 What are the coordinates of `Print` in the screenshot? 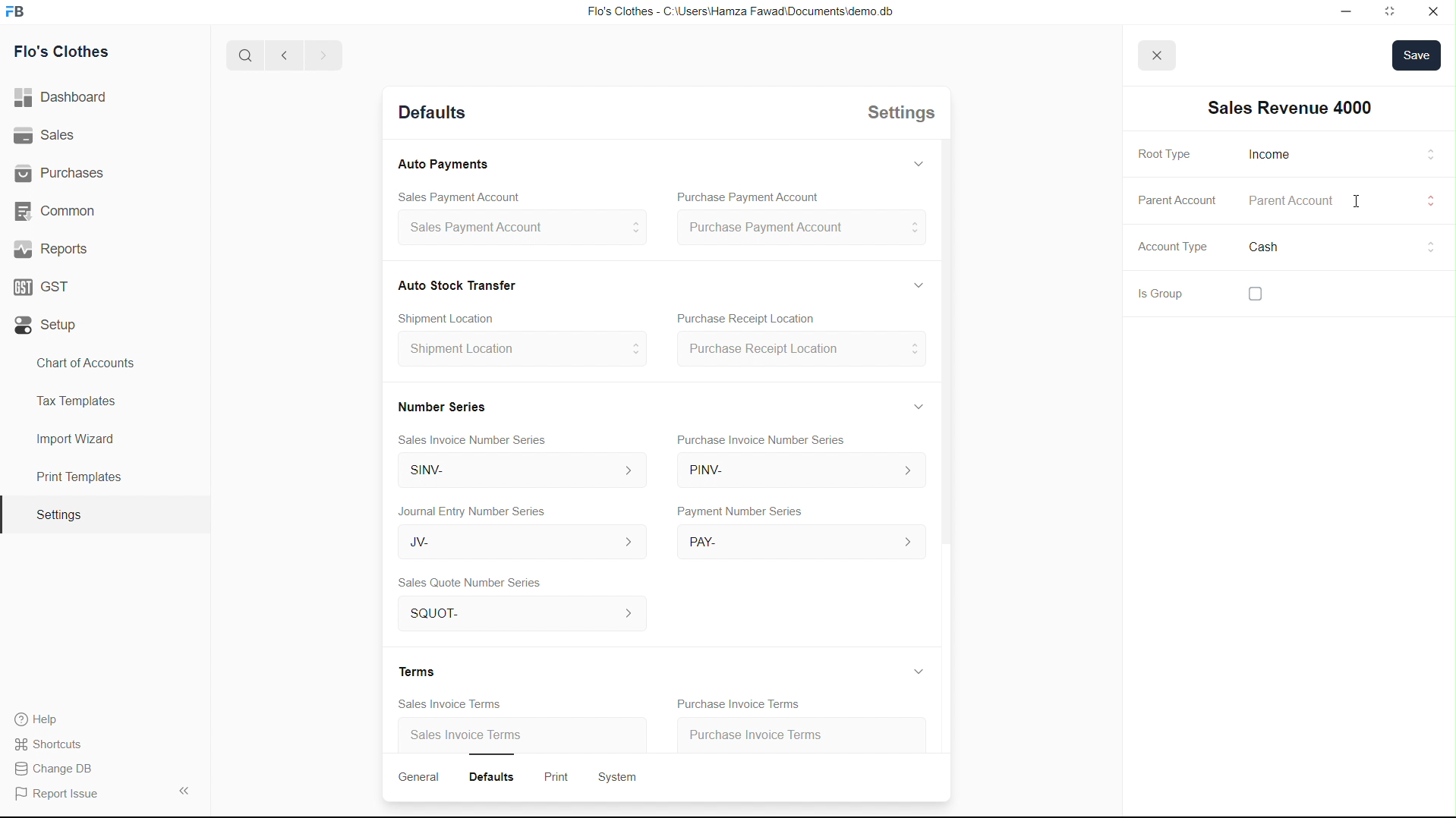 It's located at (559, 775).